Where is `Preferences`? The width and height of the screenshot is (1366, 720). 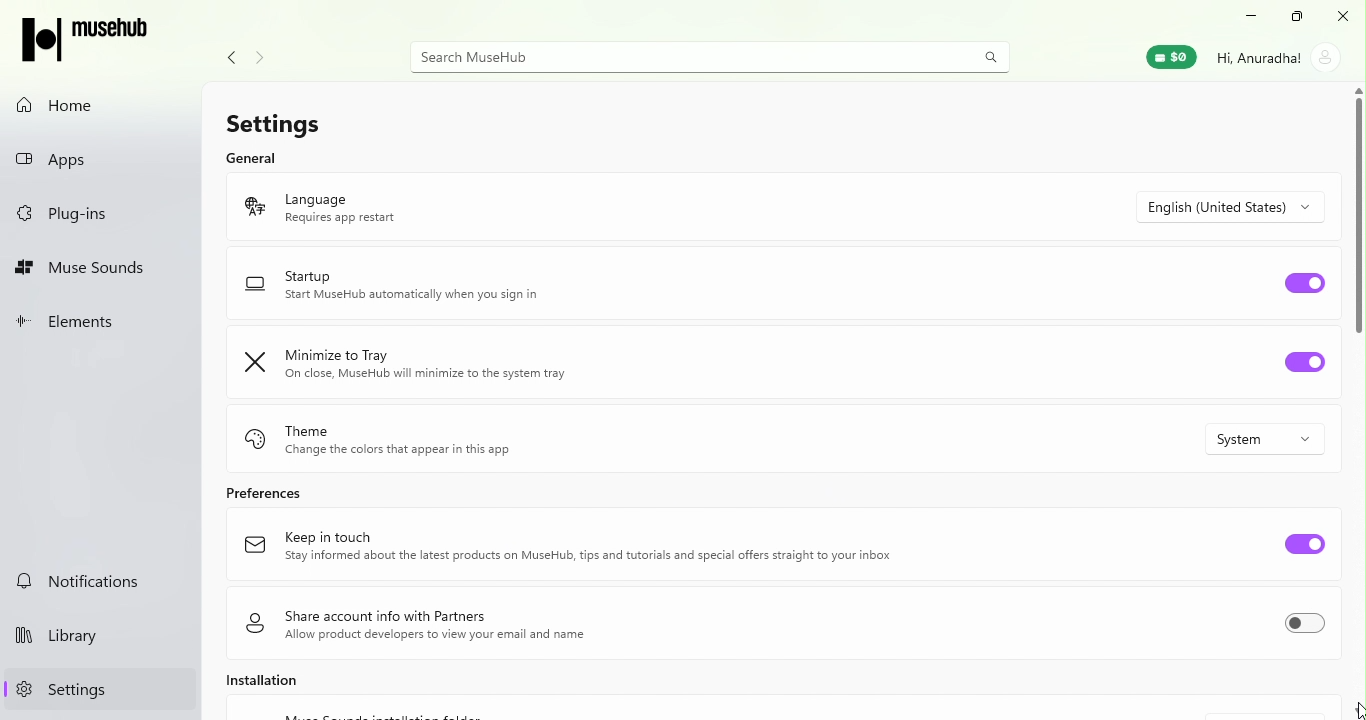 Preferences is located at coordinates (272, 497).